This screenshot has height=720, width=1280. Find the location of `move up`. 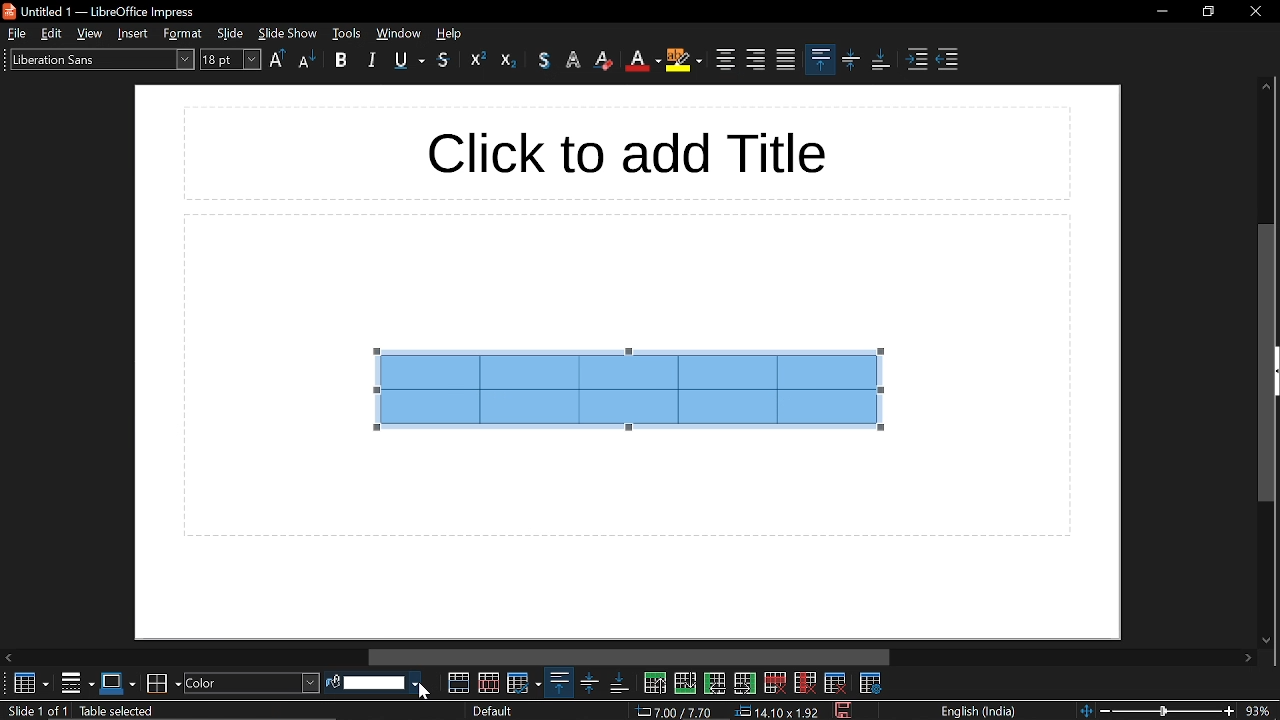

move up is located at coordinates (1266, 86).